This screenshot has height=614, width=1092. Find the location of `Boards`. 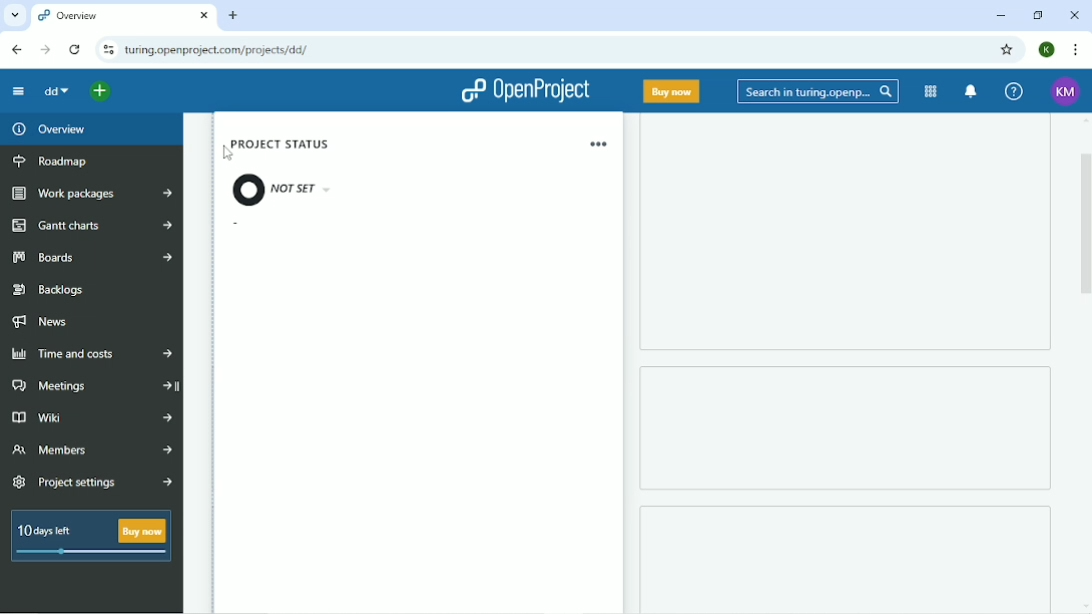

Boards is located at coordinates (89, 258).